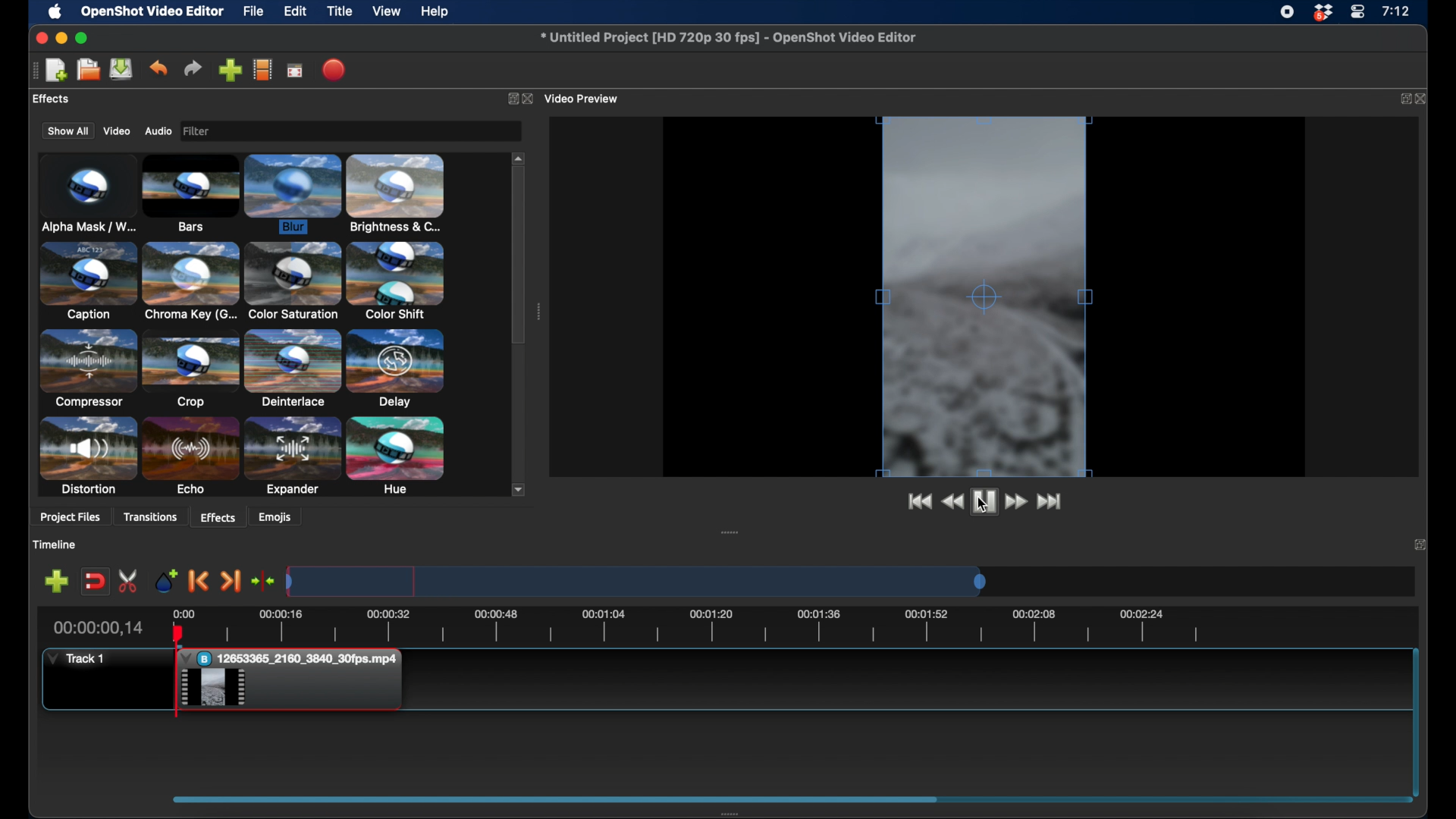 This screenshot has height=819, width=1456. What do you see at coordinates (395, 280) in the screenshot?
I see `color shift` at bounding box center [395, 280].